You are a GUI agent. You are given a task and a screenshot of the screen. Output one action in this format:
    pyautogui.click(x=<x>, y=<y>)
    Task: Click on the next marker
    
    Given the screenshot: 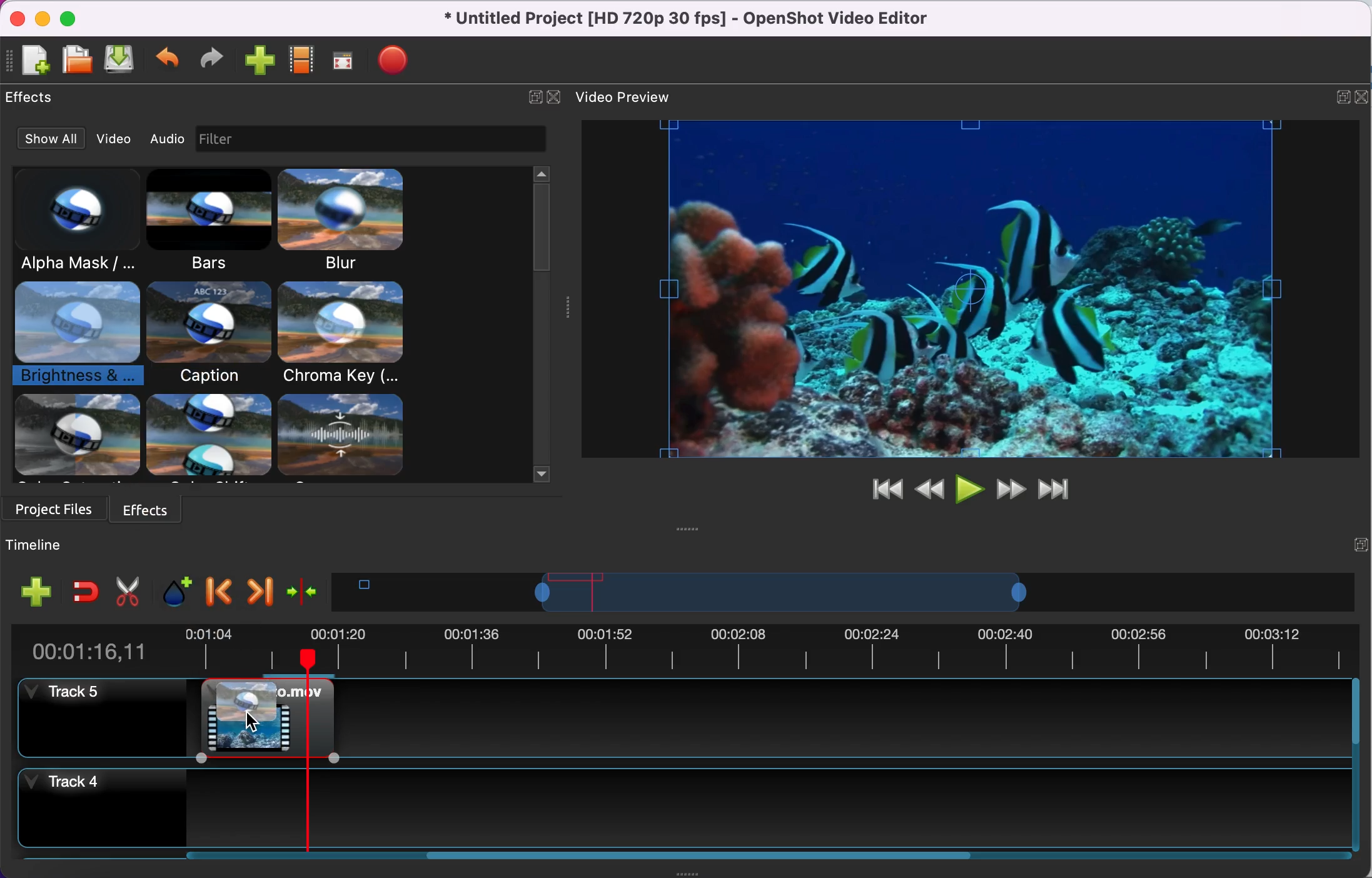 What is the action you would take?
    pyautogui.click(x=258, y=589)
    